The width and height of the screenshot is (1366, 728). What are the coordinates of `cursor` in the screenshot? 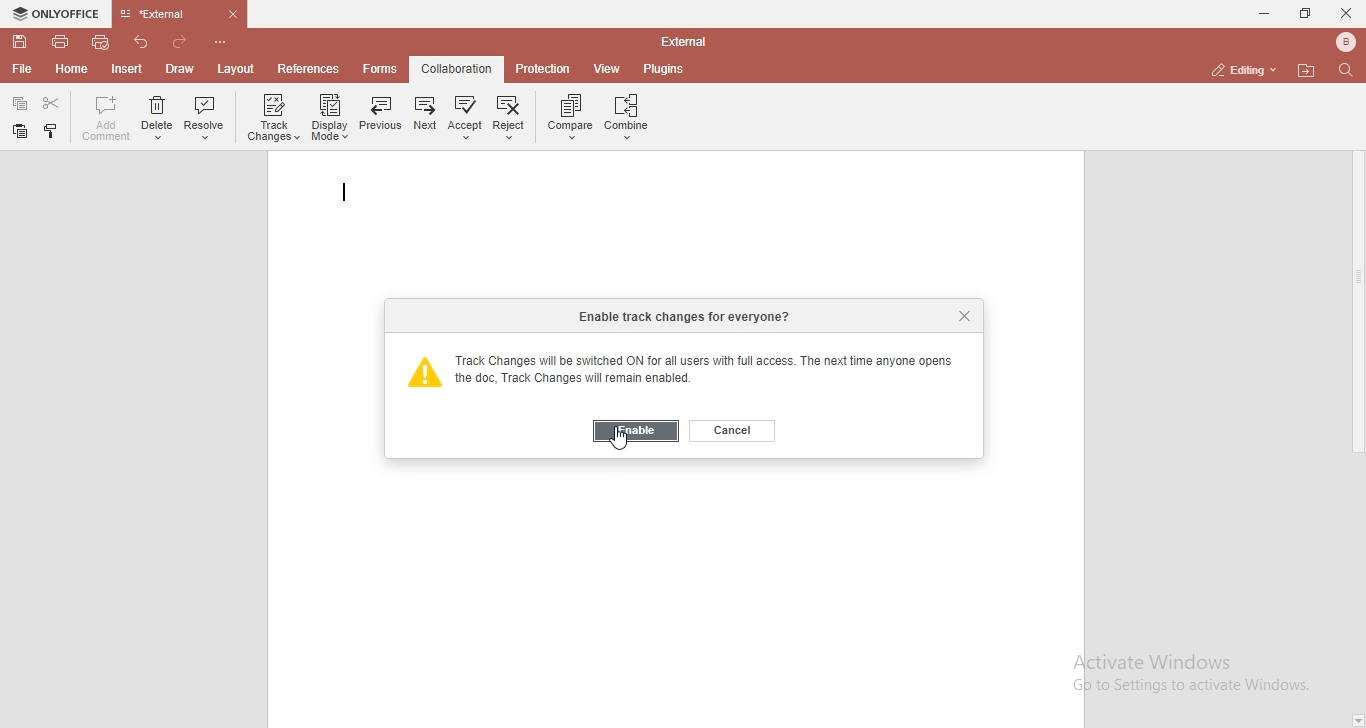 It's located at (615, 437).